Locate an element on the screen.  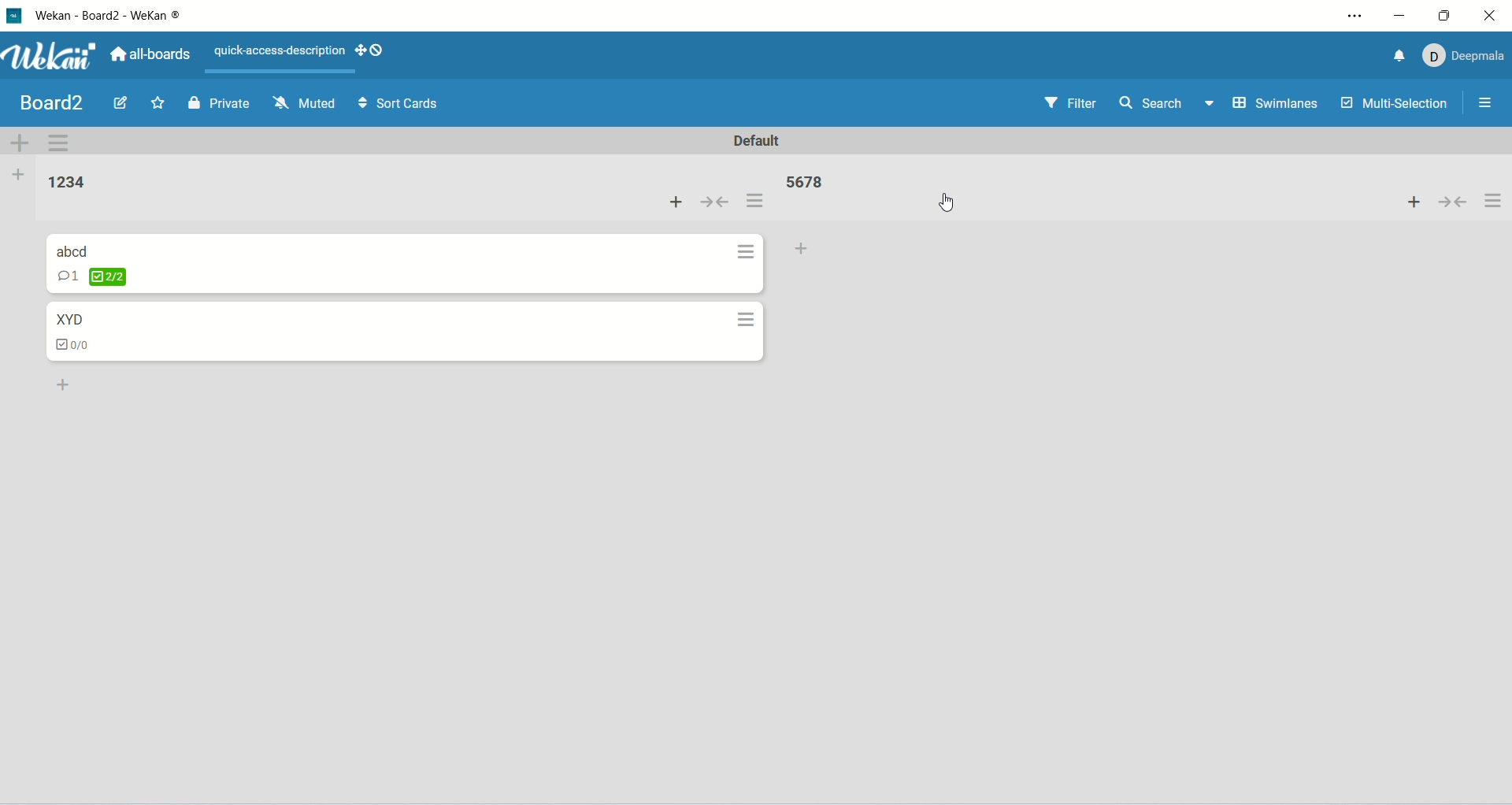
checklist is located at coordinates (80, 347).